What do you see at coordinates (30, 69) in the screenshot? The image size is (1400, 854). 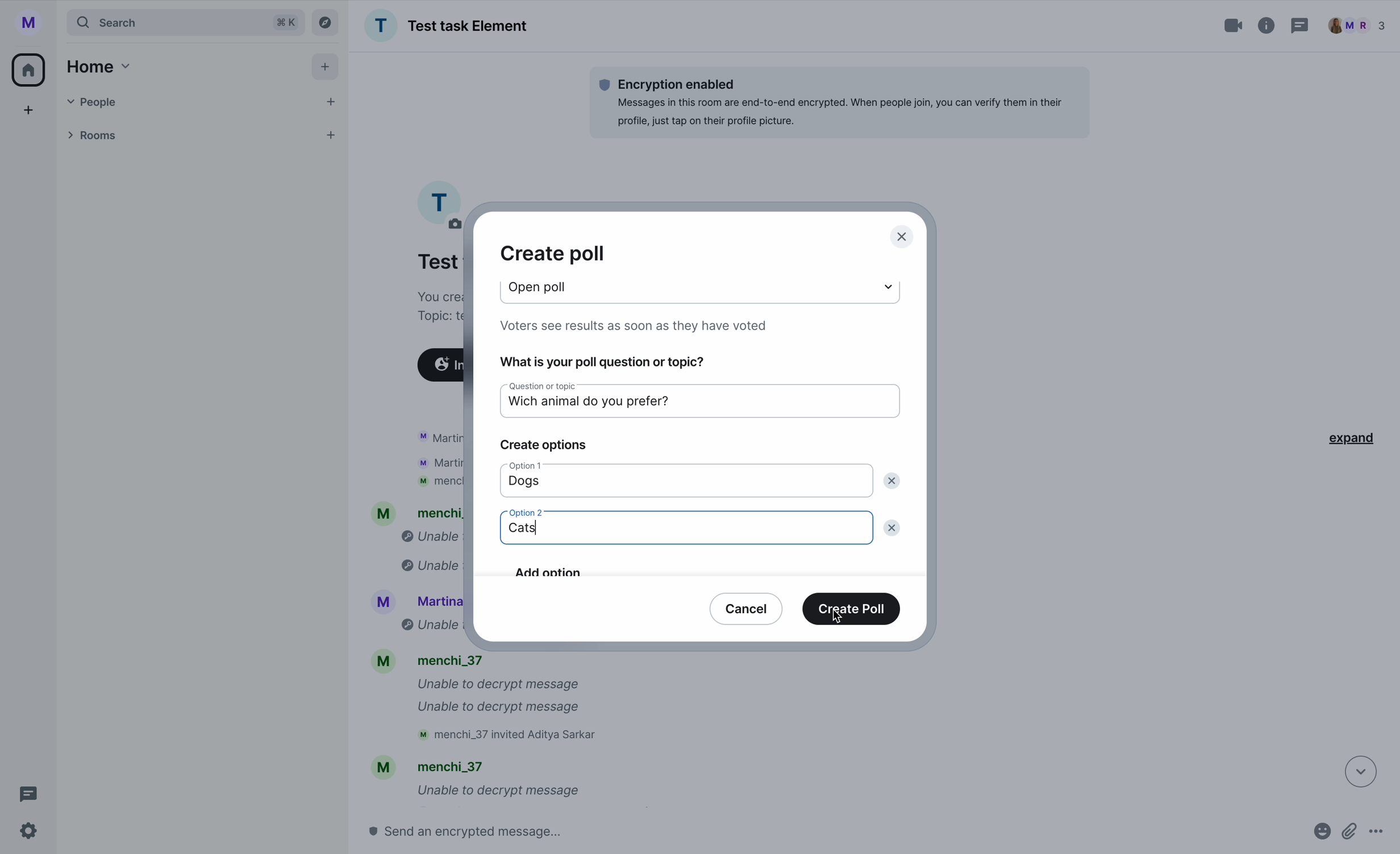 I see `home` at bounding box center [30, 69].